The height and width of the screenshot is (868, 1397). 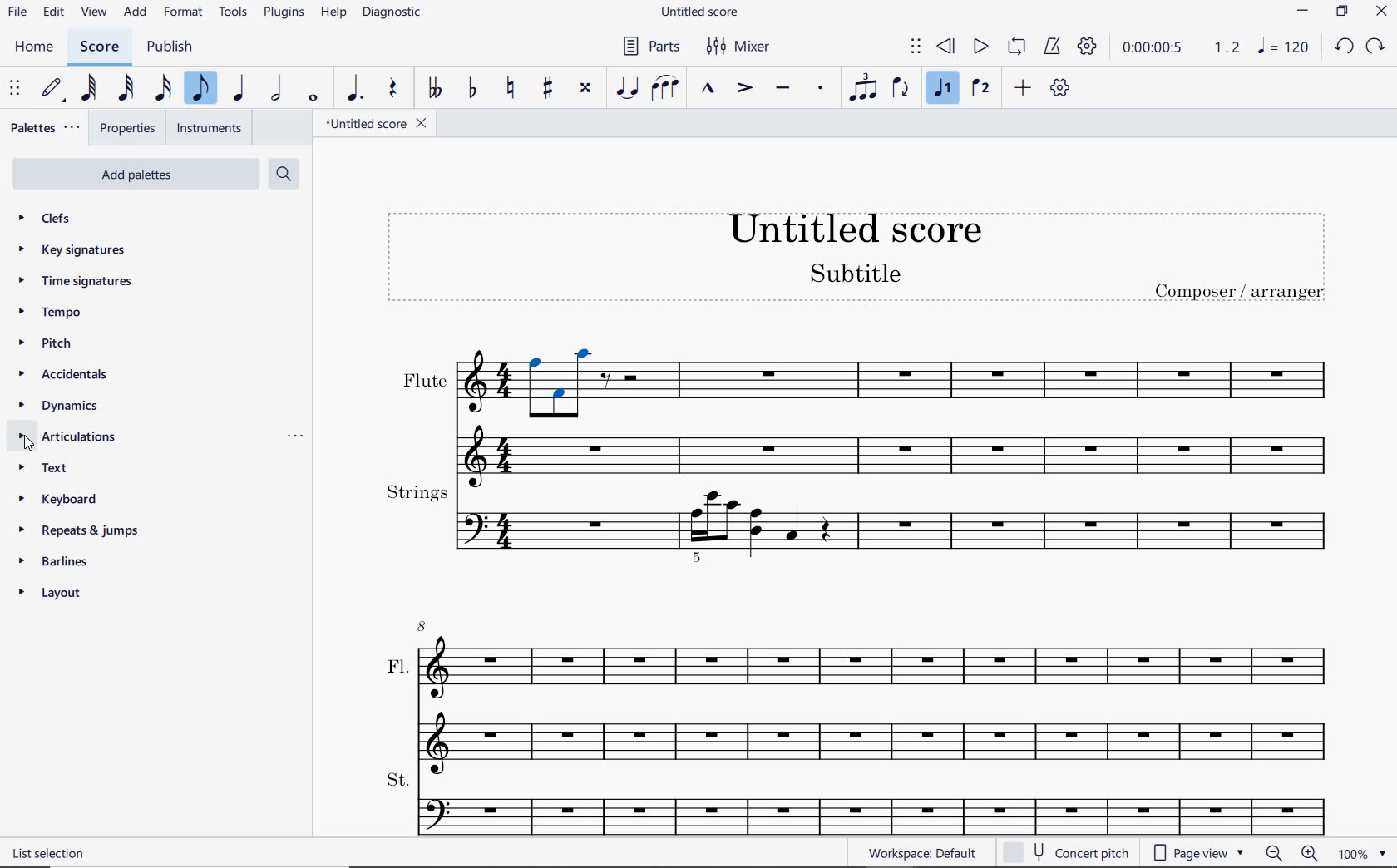 I want to click on SELECT TO MOVE, so click(x=916, y=47).